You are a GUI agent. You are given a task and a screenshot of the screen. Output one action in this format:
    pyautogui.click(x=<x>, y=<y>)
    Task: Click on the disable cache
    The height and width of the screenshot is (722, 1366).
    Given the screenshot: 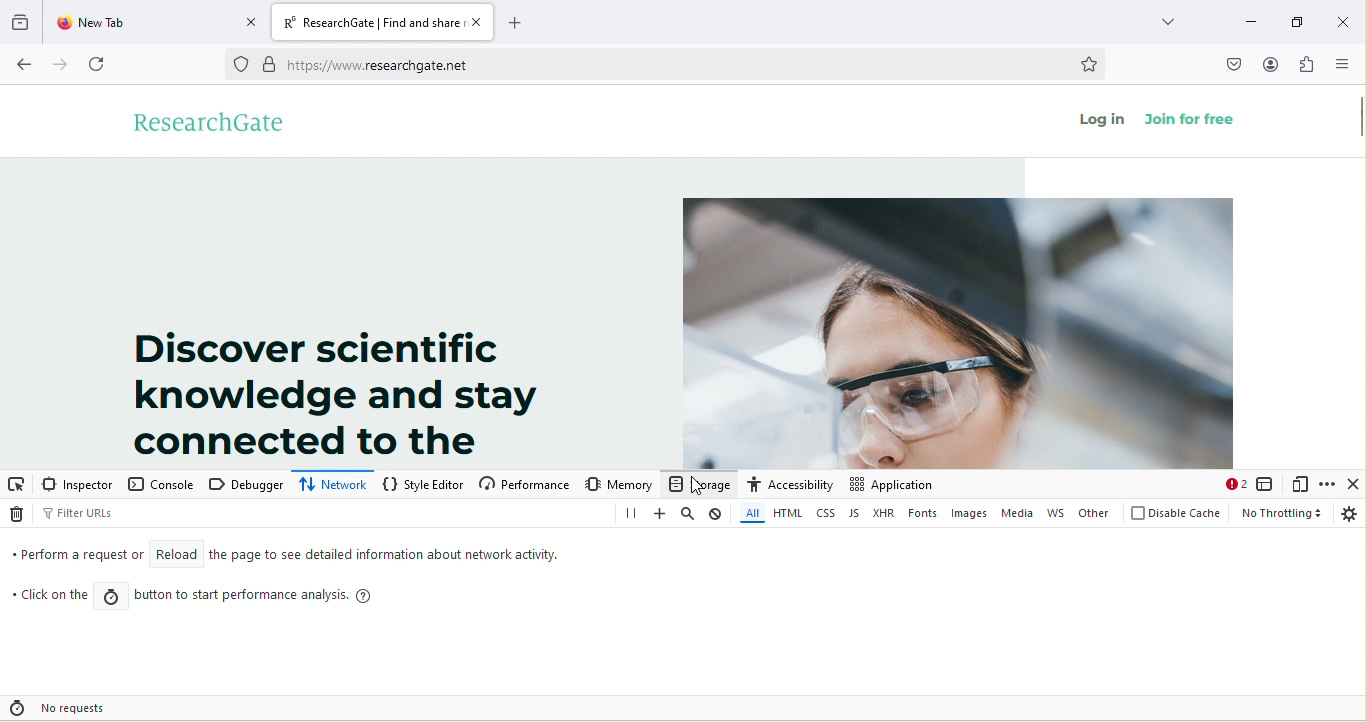 What is the action you would take?
    pyautogui.click(x=1172, y=512)
    